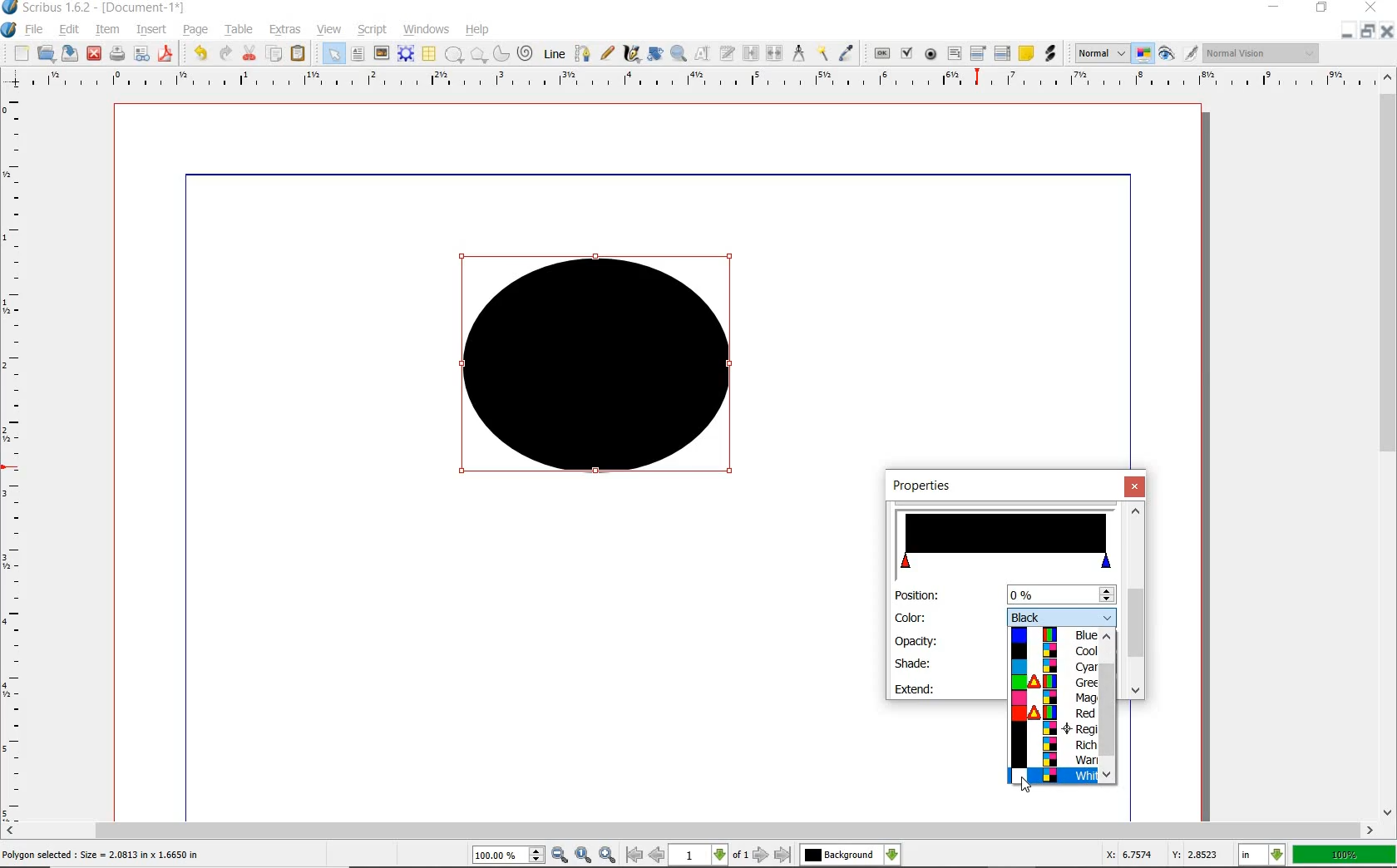 This screenshot has height=868, width=1397. I want to click on opacity, so click(918, 640).